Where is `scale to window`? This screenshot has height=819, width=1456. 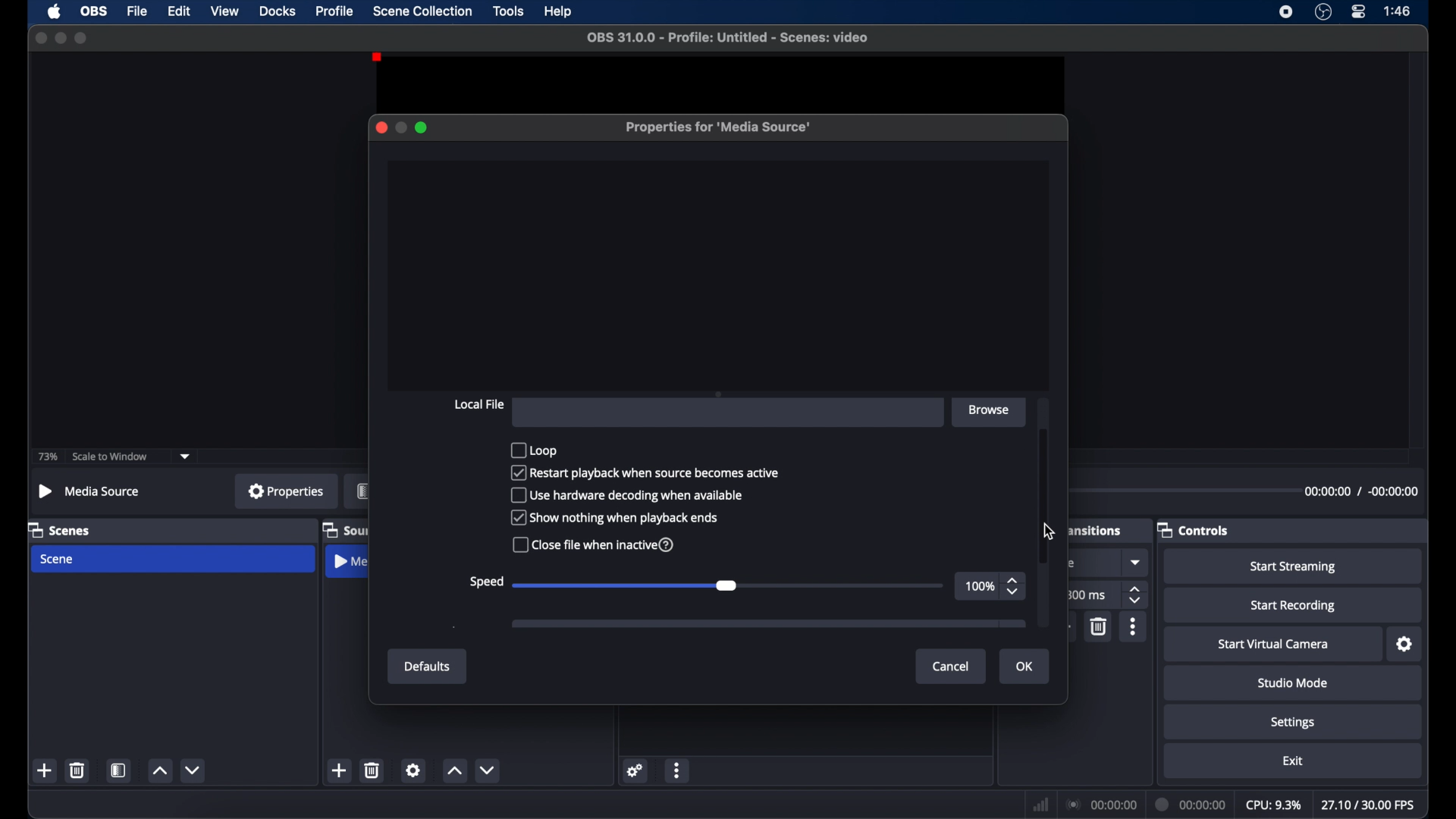
scale to window is located at coordinates (110, 457).